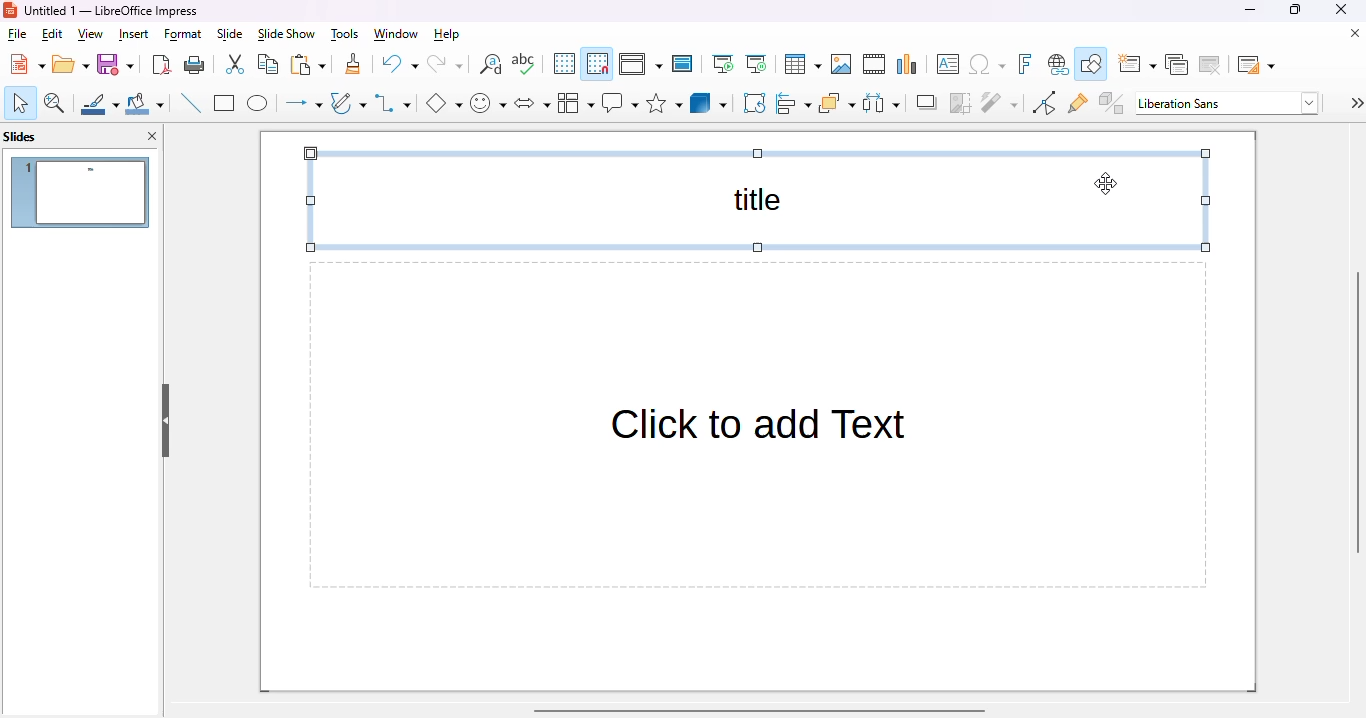 This screenshot has width=1366, height=718. Describe the element at coordinates (946, 64) in the screenshot. I see `insert text box` at that location.